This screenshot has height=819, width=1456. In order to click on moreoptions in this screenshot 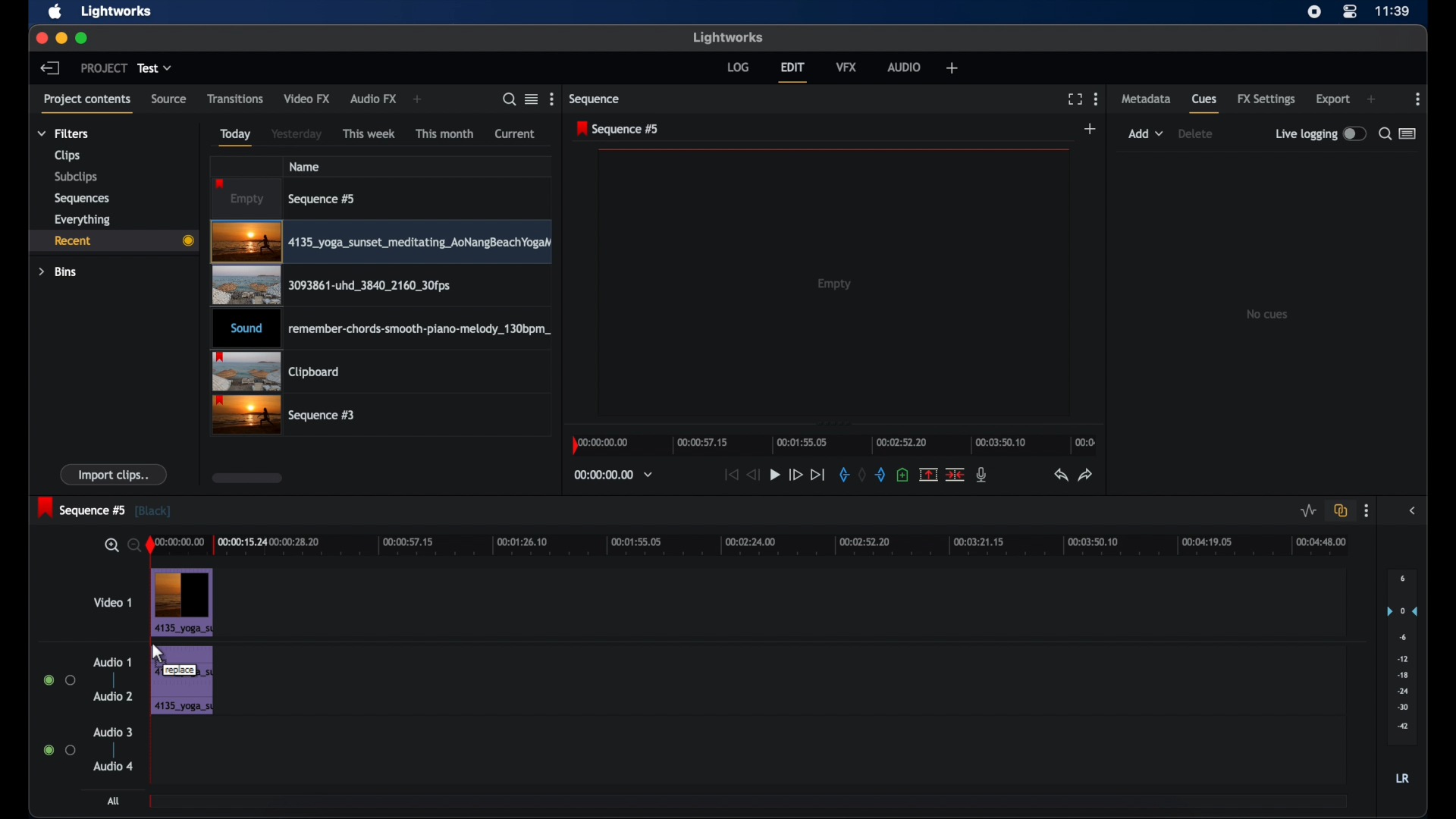, I will do `click(1418, 99)`.